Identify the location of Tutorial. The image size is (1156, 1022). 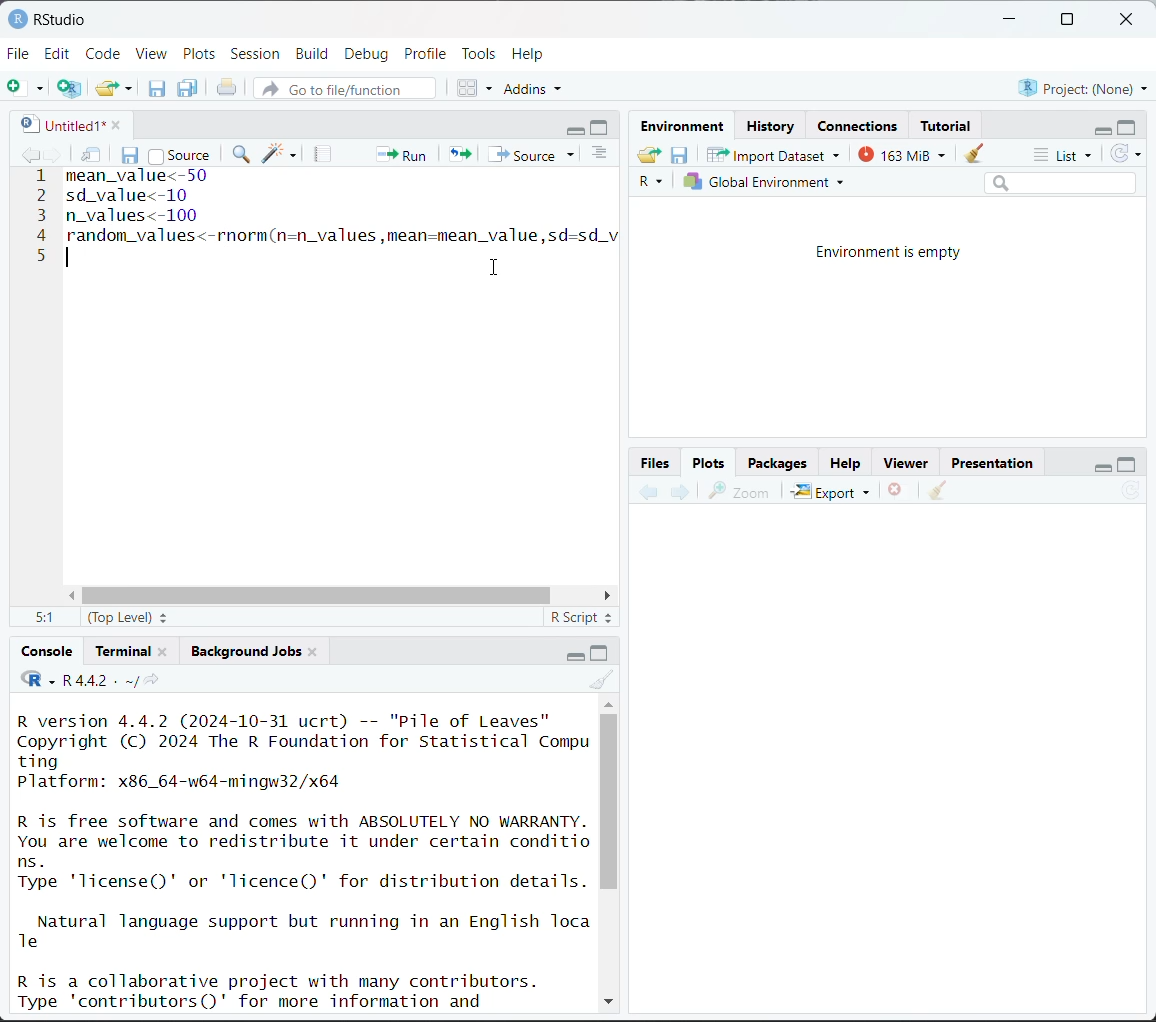
(948, 123).